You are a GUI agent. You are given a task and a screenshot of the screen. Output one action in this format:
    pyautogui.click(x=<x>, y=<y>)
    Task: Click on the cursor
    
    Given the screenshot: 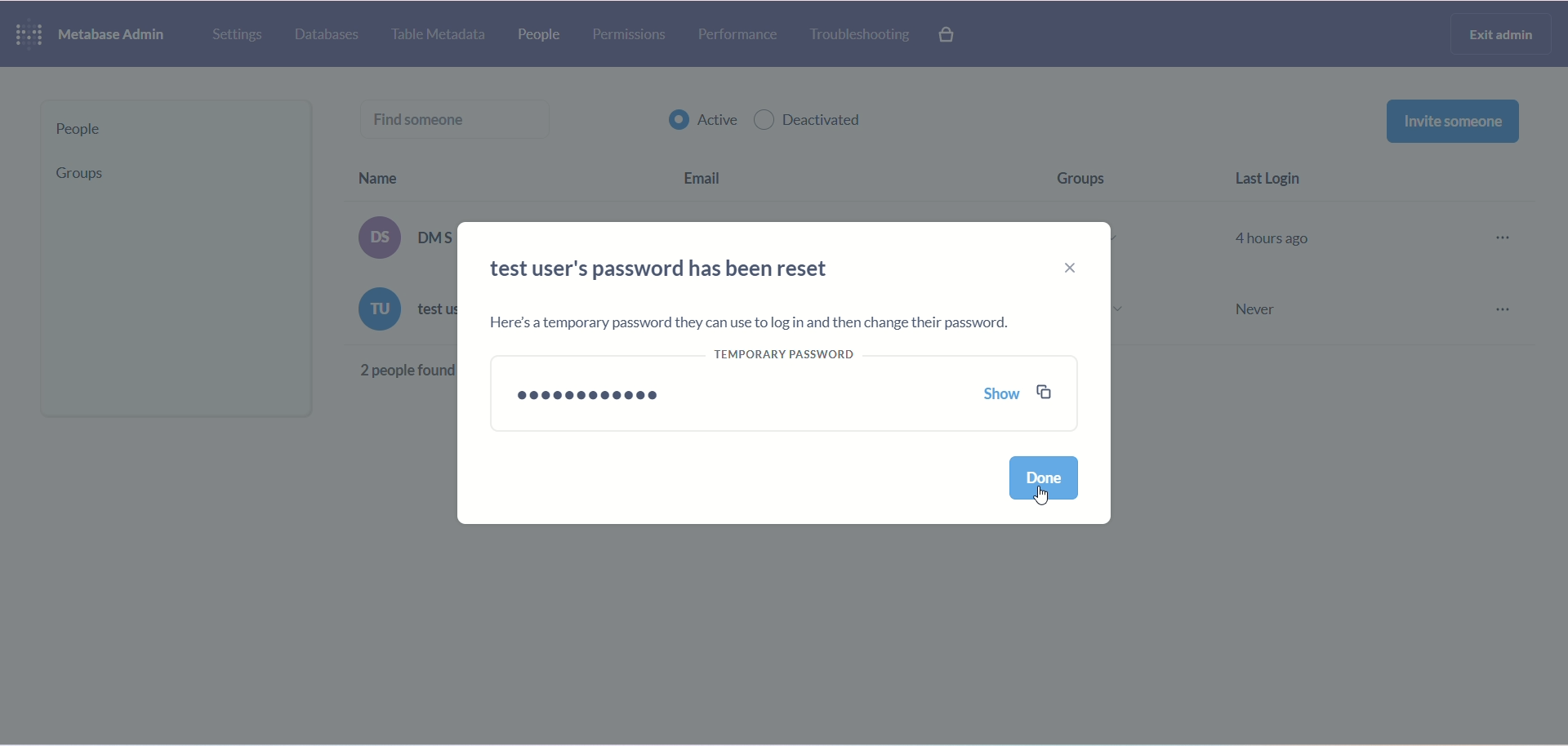 What is the action you would take?
    pyautogui.click(x=1039, y=494)
    